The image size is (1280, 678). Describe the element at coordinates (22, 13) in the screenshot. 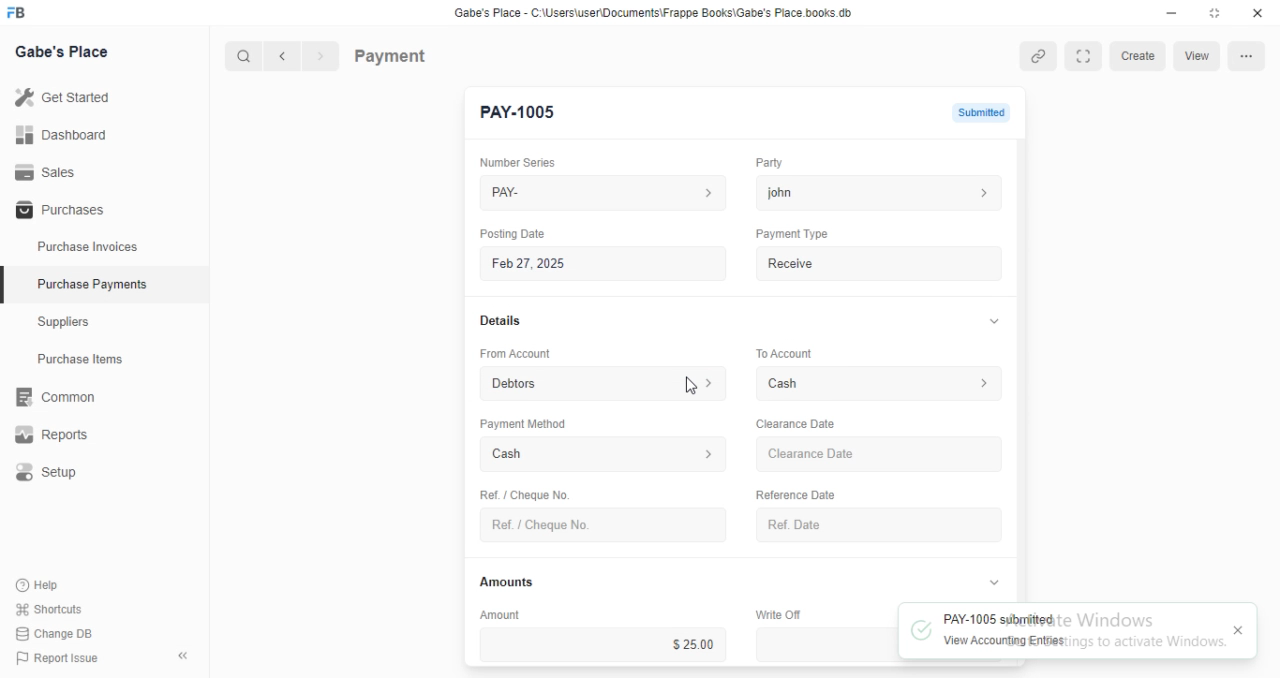

I see `logo` at that location.